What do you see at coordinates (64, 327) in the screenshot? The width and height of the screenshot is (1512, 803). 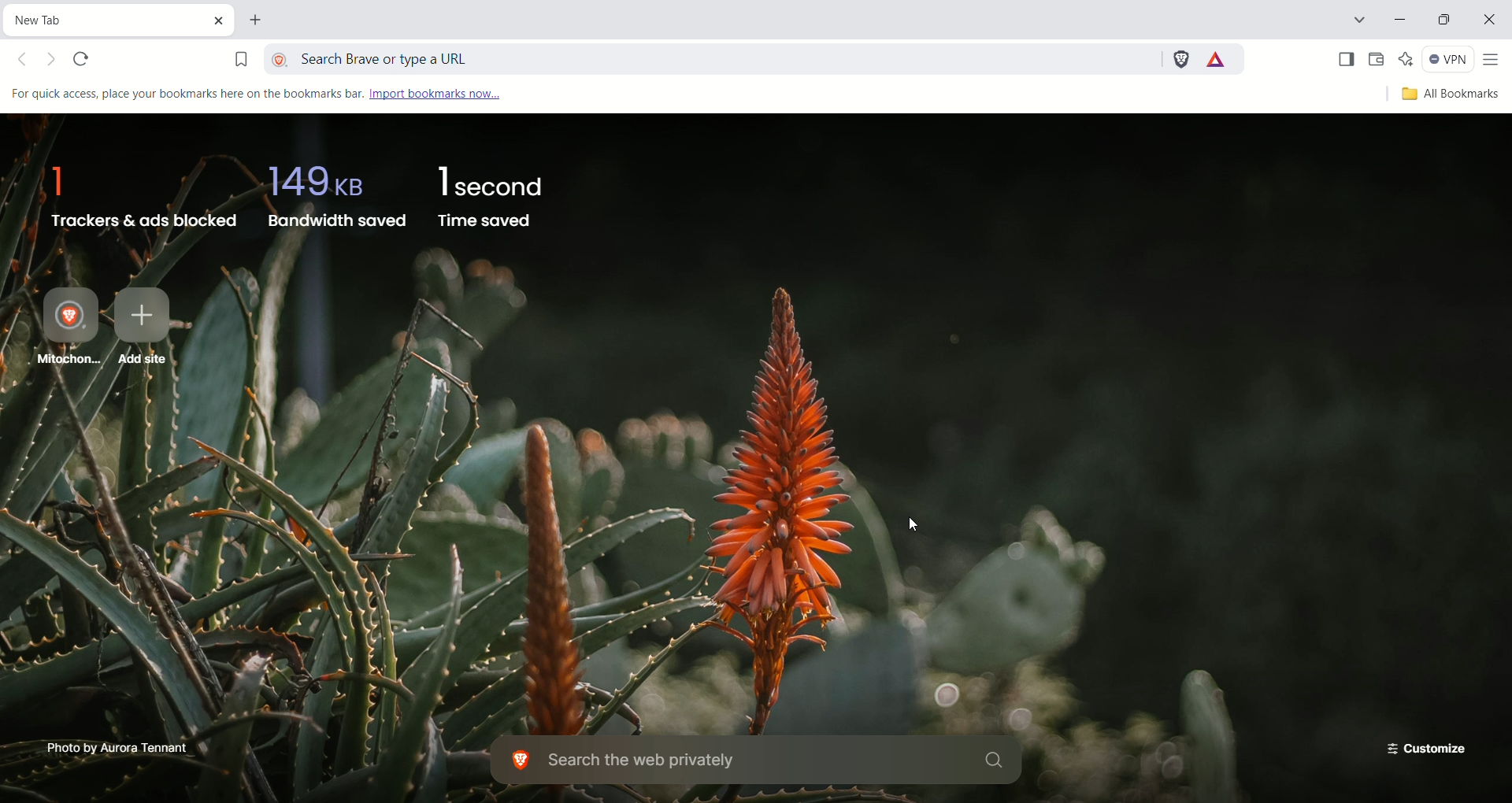 I see `Mitochondria` at bounding box center [64, 327].